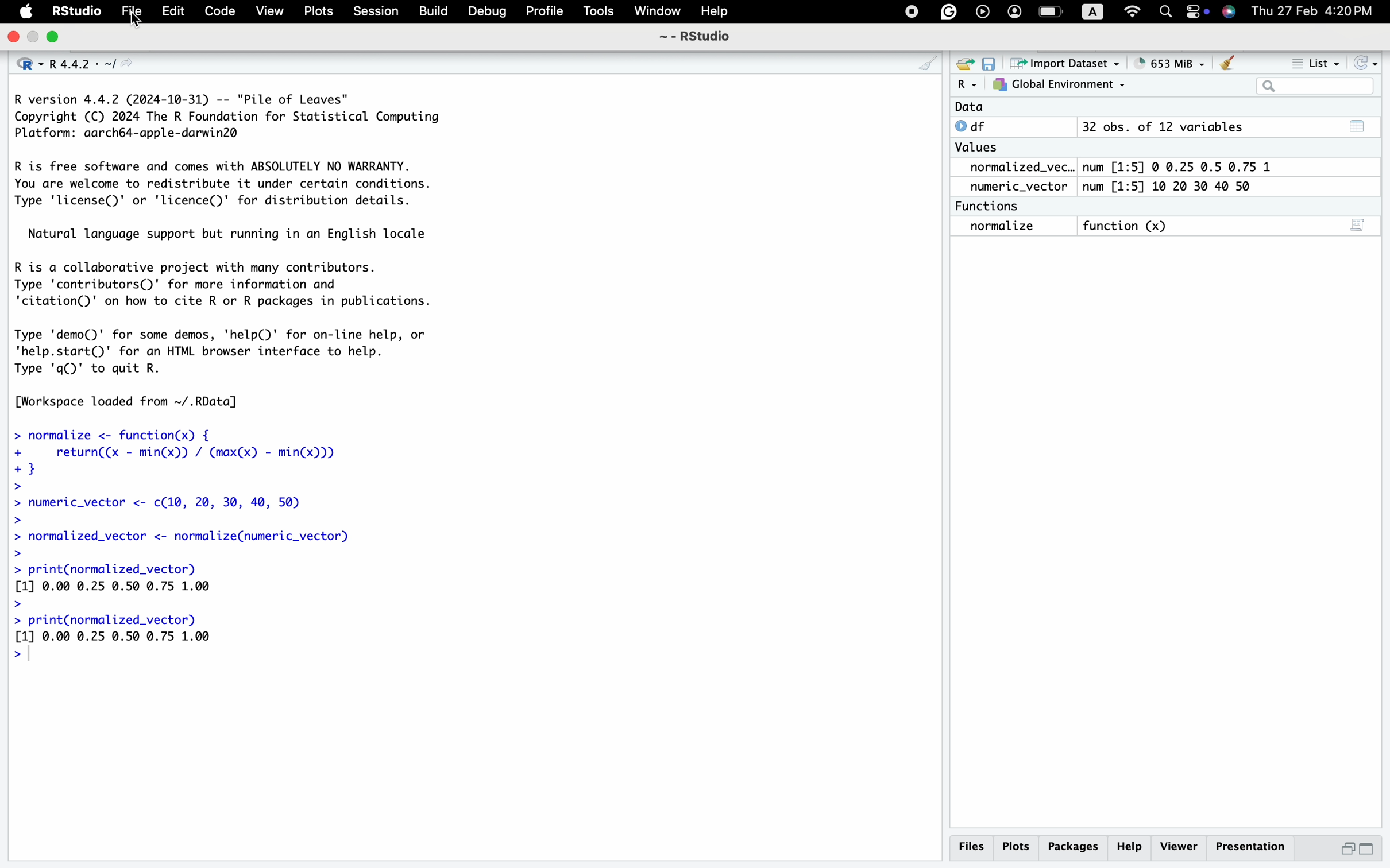 Image resolution: width=1390 pixels, height=868 pixels. Describe the element at coordinates (976, 150) in the screenshot. I see `Values` at that location.